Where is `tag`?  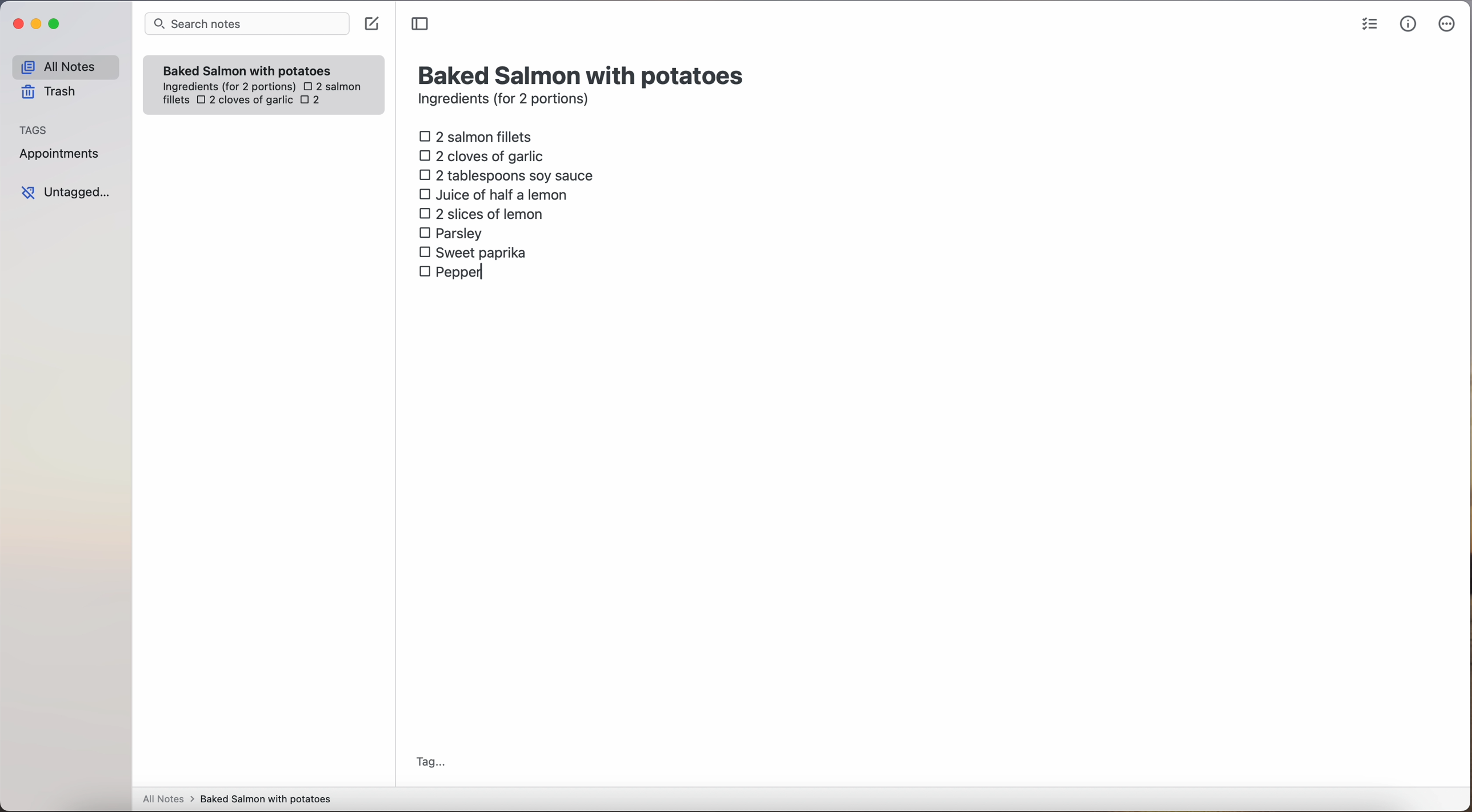 tag is located at coordinates (430, 763).